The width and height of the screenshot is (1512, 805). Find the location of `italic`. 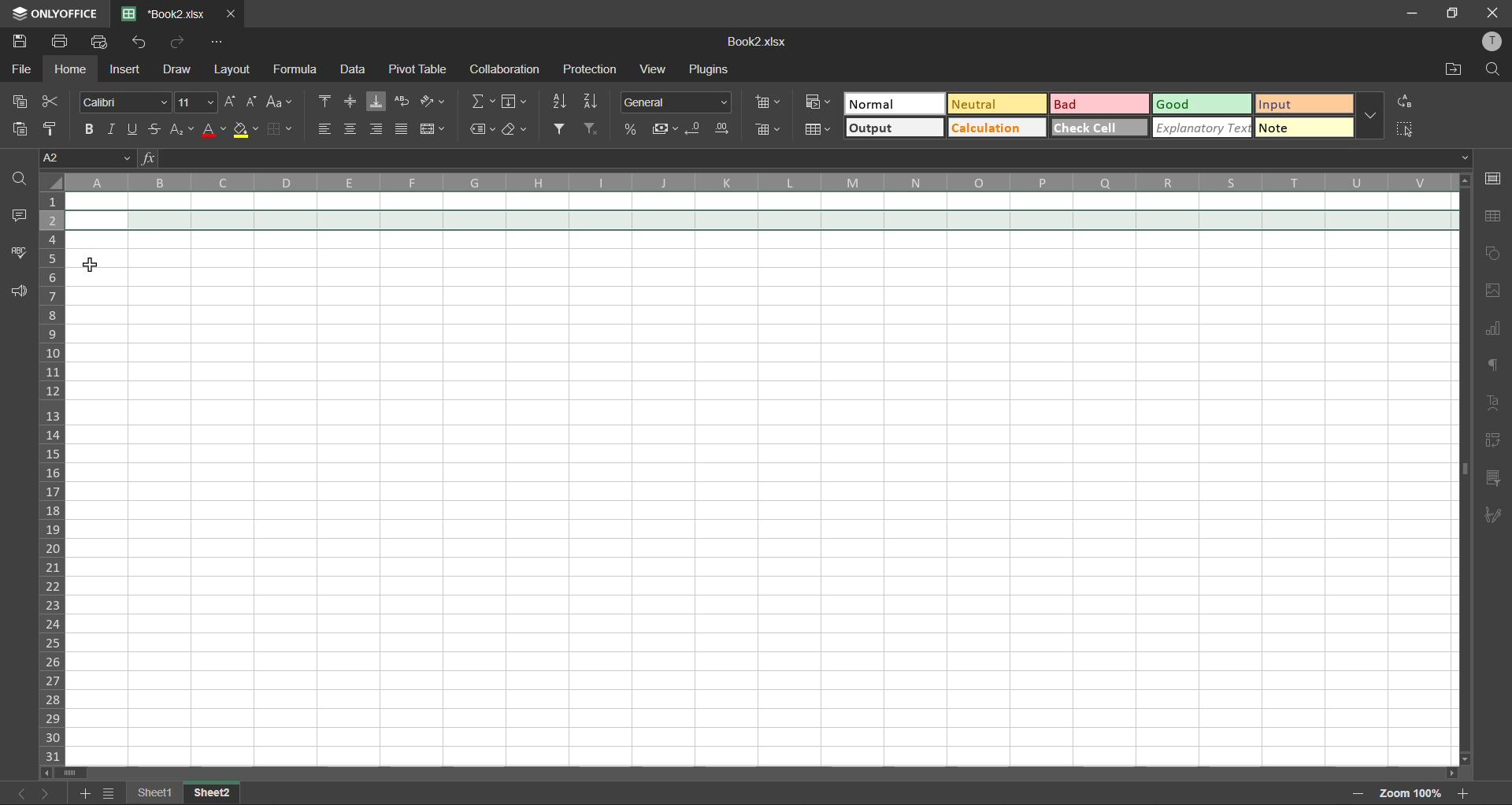

italic is located at coordinates (112, 127).